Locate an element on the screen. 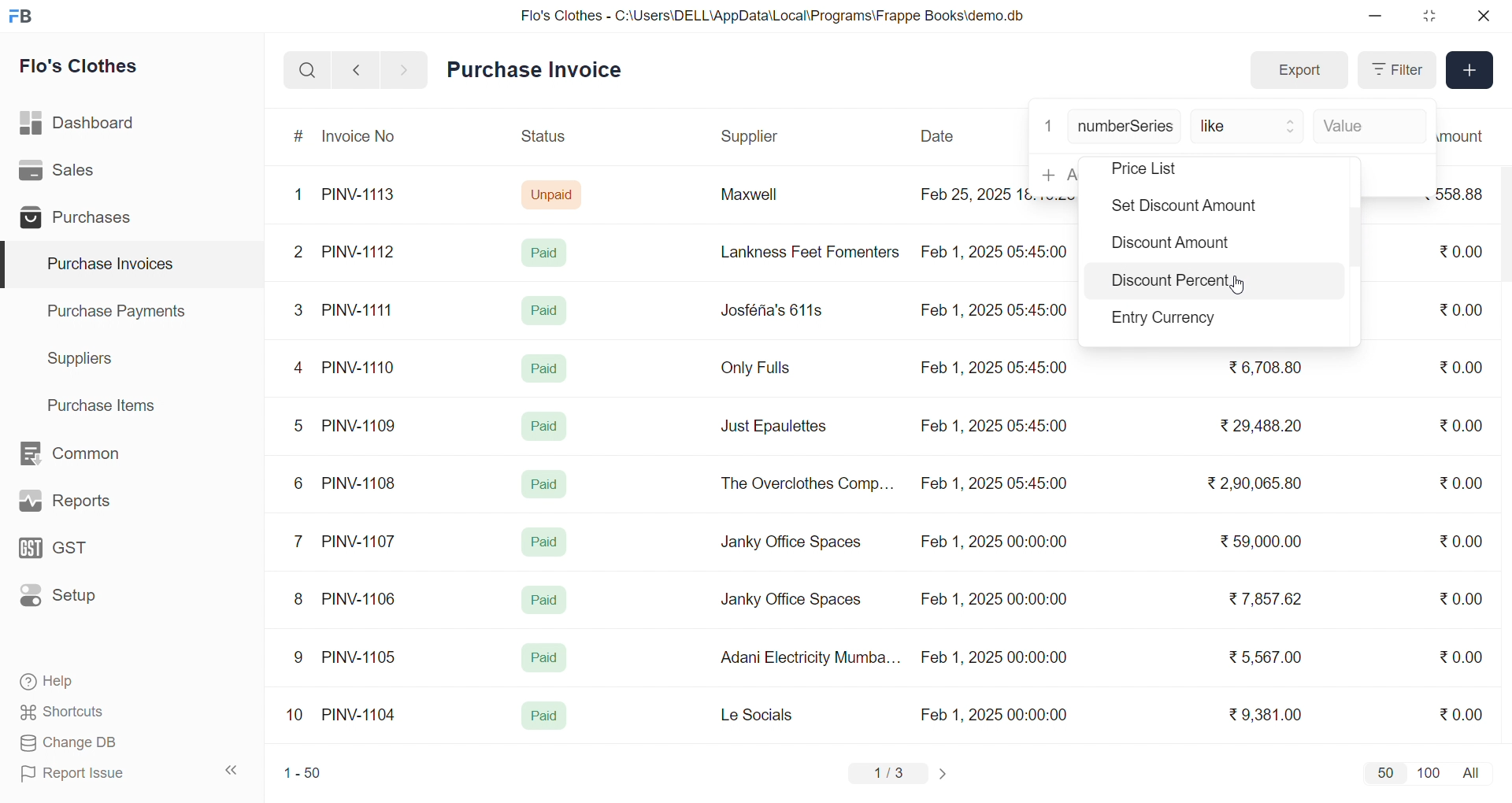 This screenshot has width=1512, height=803. Invoice No is located at coordinates (365, 137).